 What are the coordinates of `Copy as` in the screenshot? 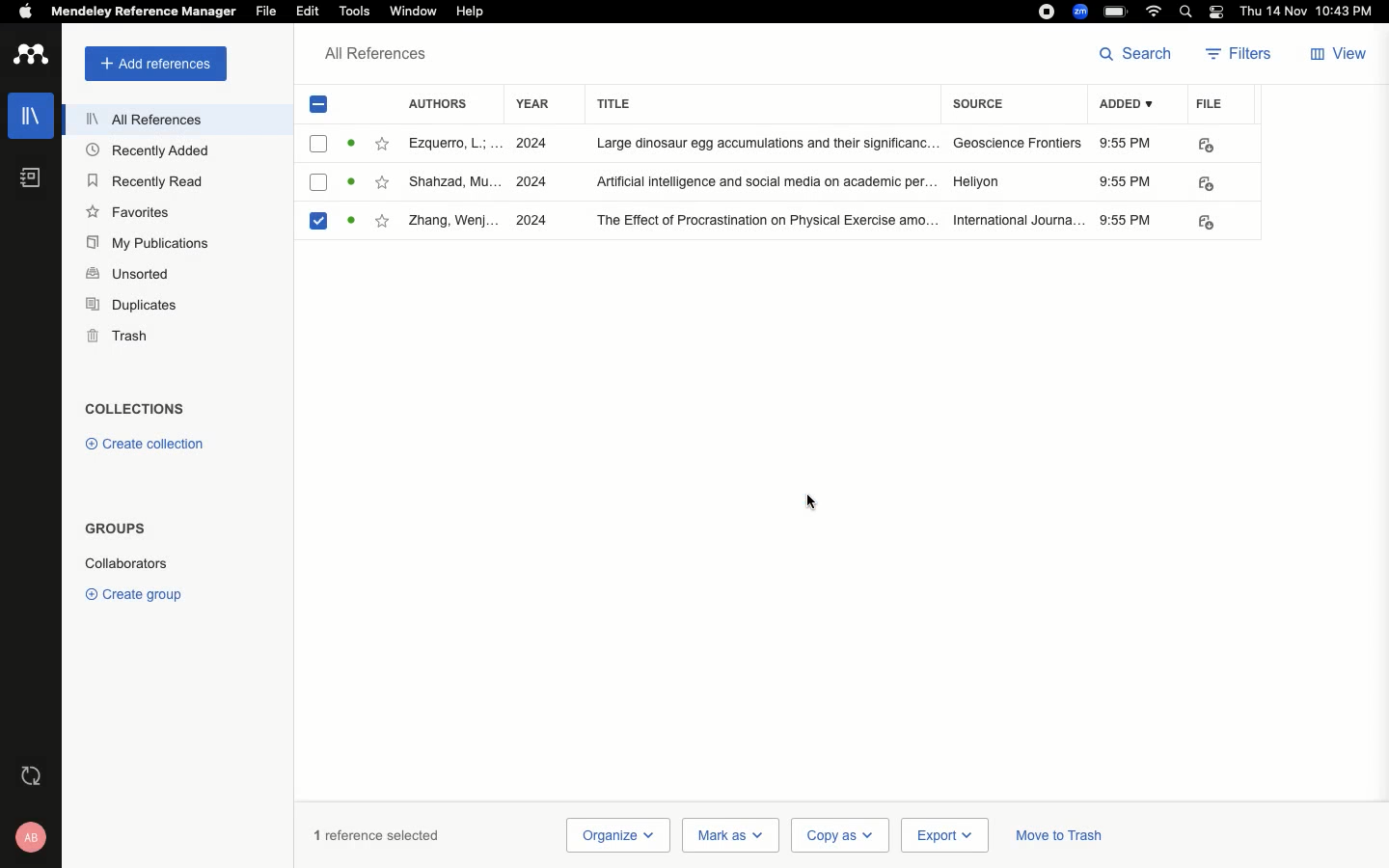 It's located at (838, 835).